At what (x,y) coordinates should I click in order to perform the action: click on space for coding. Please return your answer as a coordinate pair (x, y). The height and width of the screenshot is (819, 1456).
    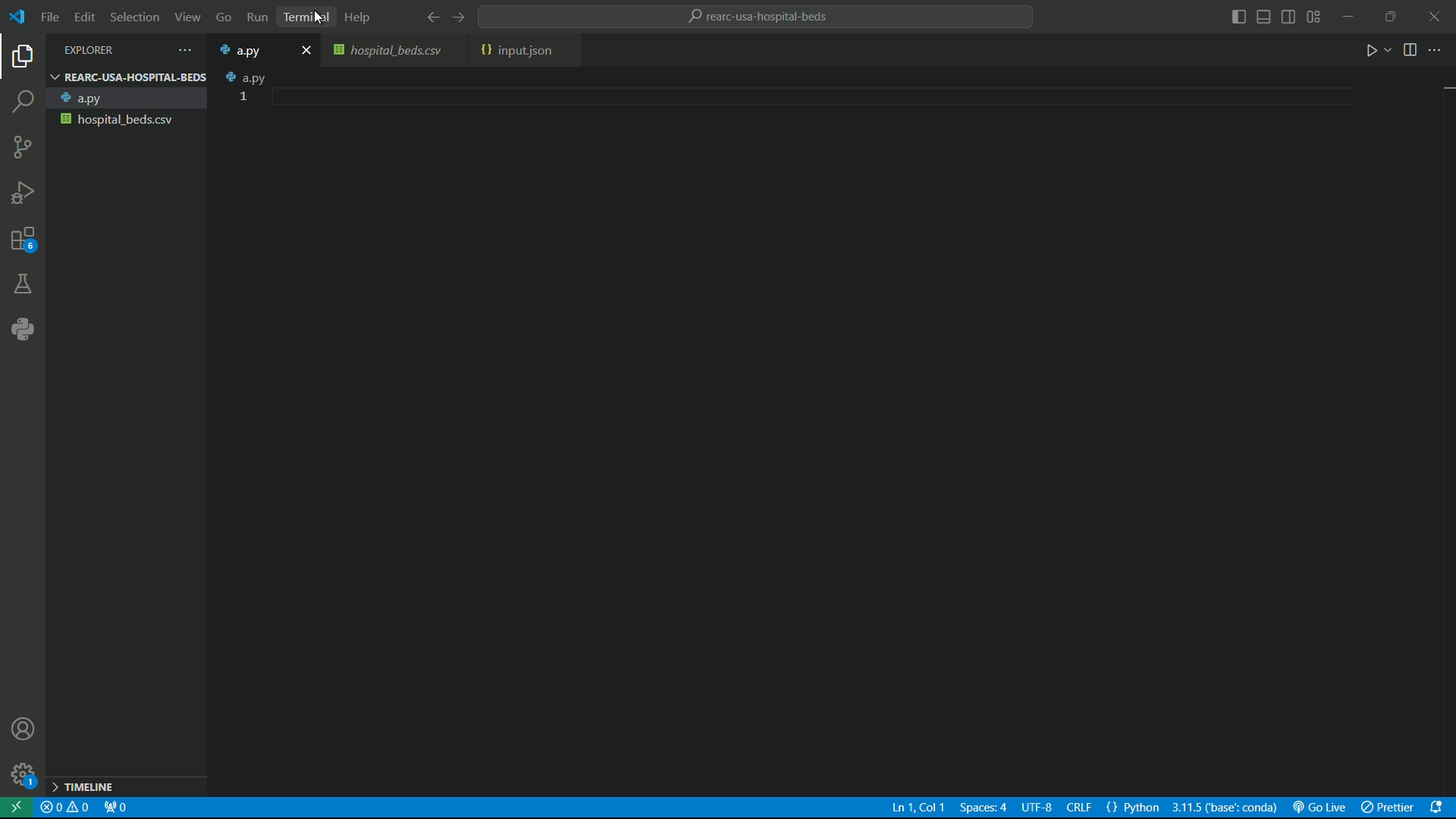
    Looking at the image, I should click on (846, 428).